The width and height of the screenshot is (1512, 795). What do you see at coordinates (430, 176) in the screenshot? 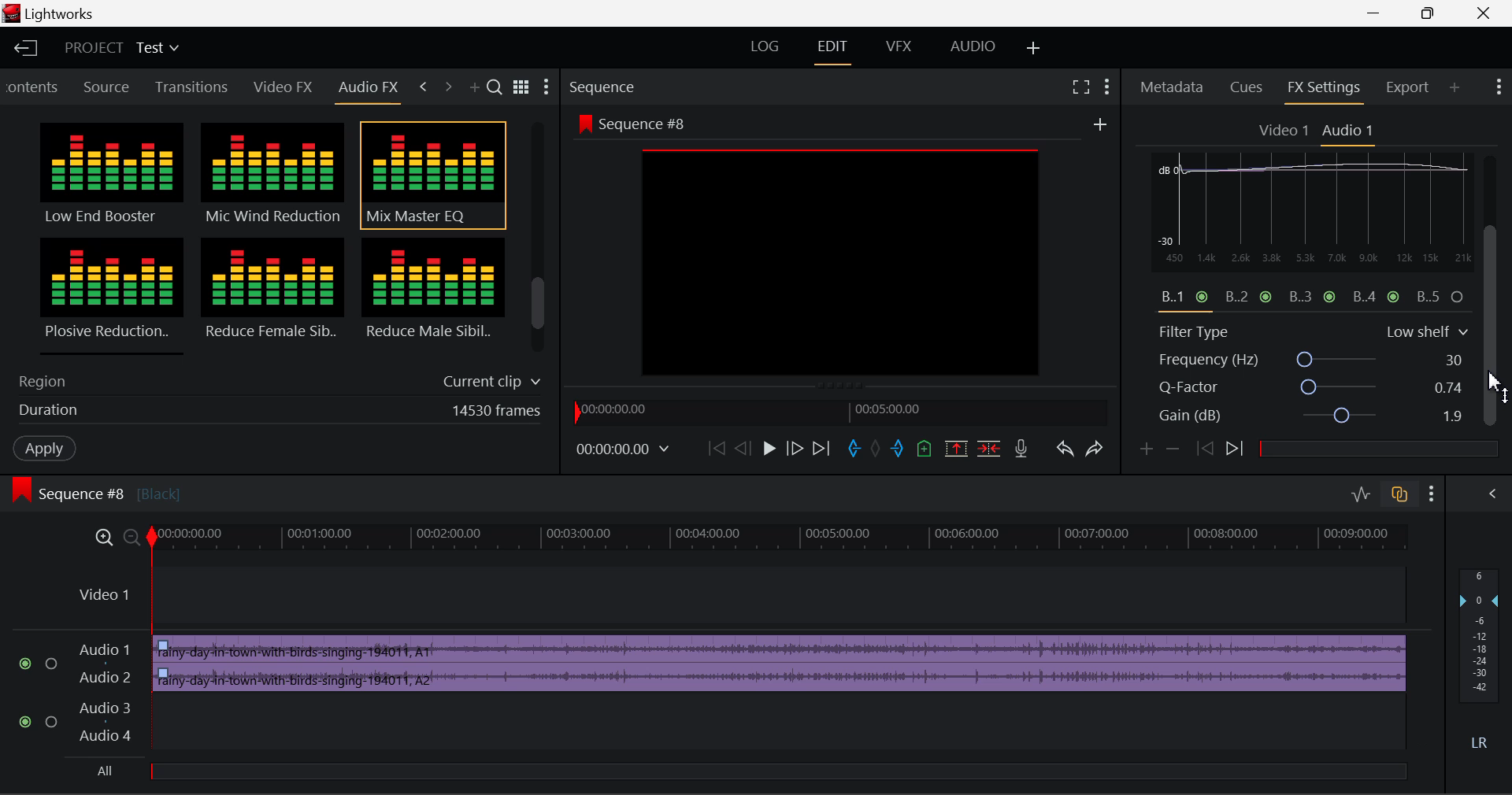
I see `Mix Master EQ` at bounding box center [430, 176].